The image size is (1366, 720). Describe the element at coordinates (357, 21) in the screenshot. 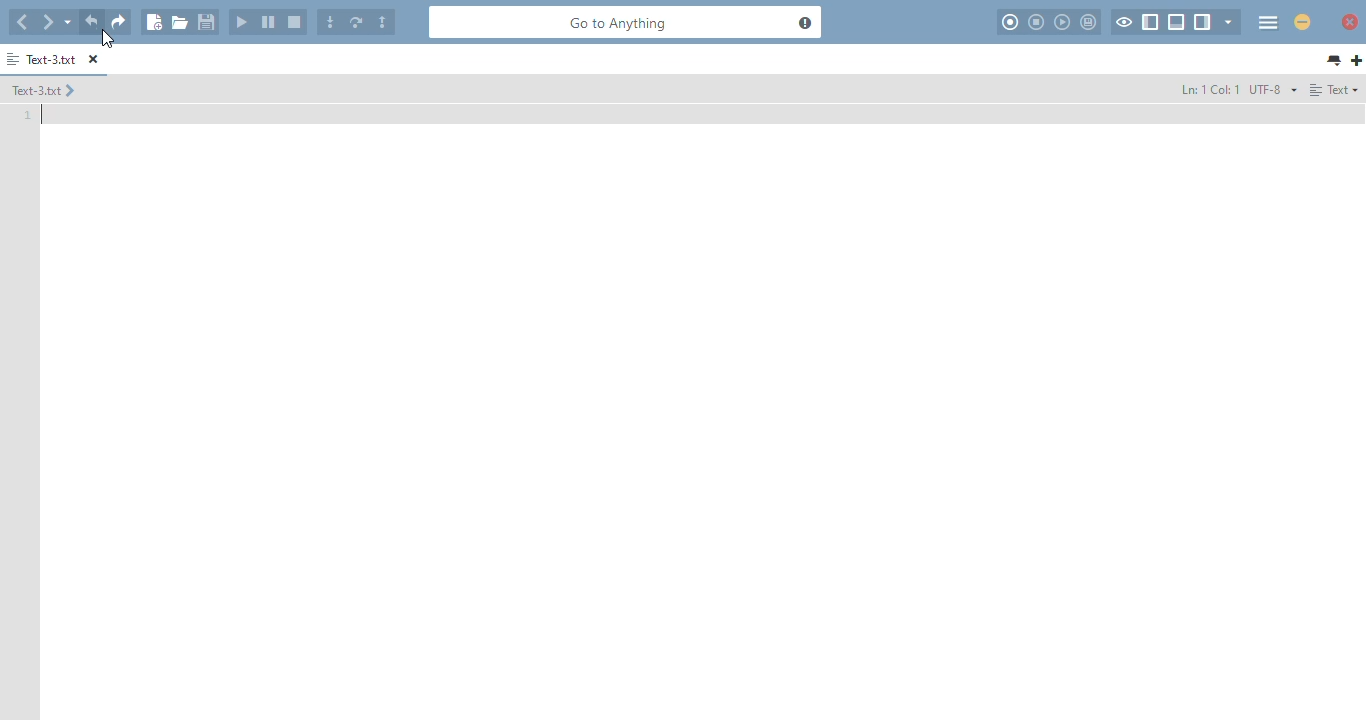

I see `step over any code on the current line` at that location.